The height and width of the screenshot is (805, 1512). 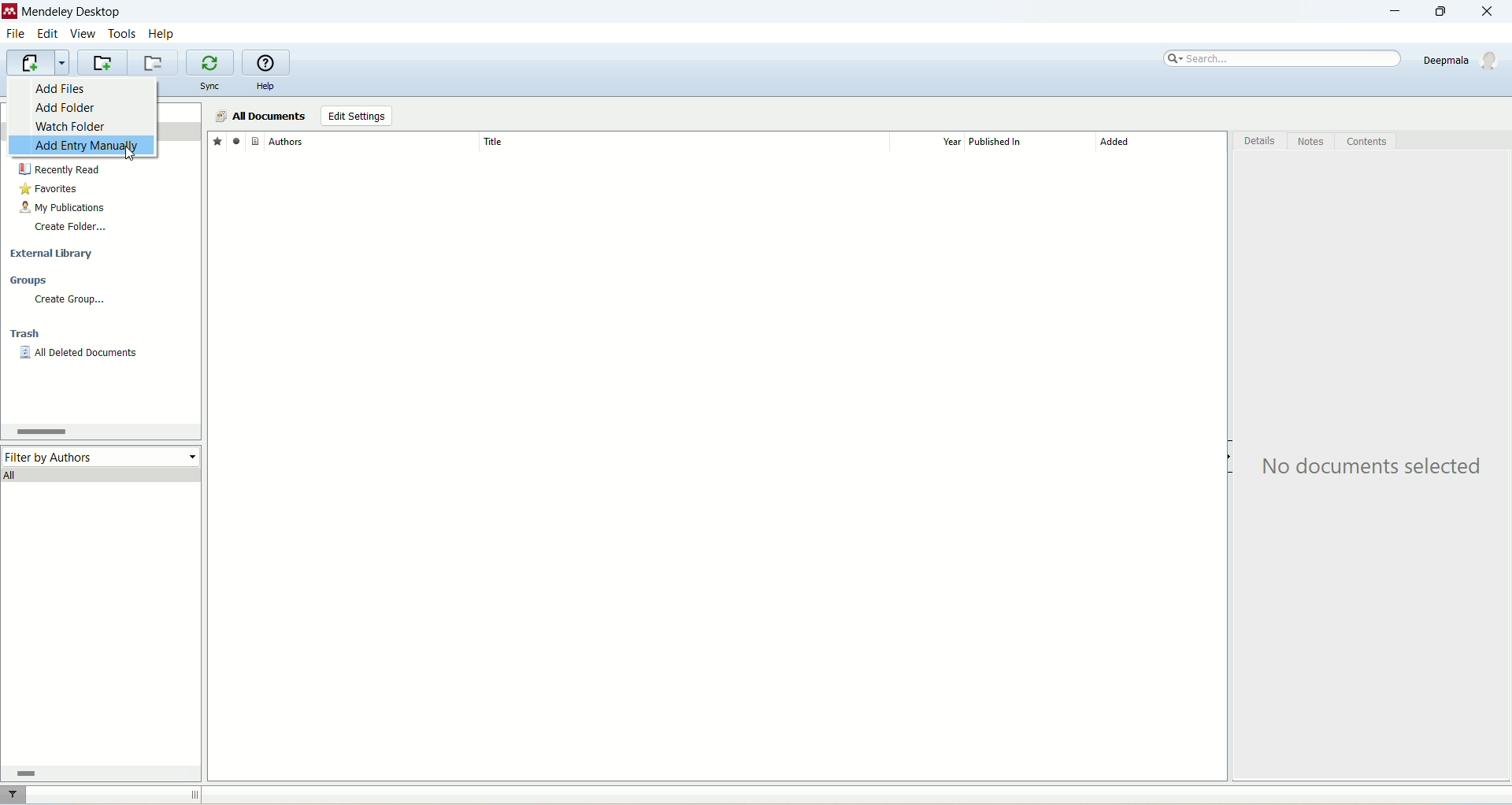 I want to click on all documents, so click(x=260, y=117).